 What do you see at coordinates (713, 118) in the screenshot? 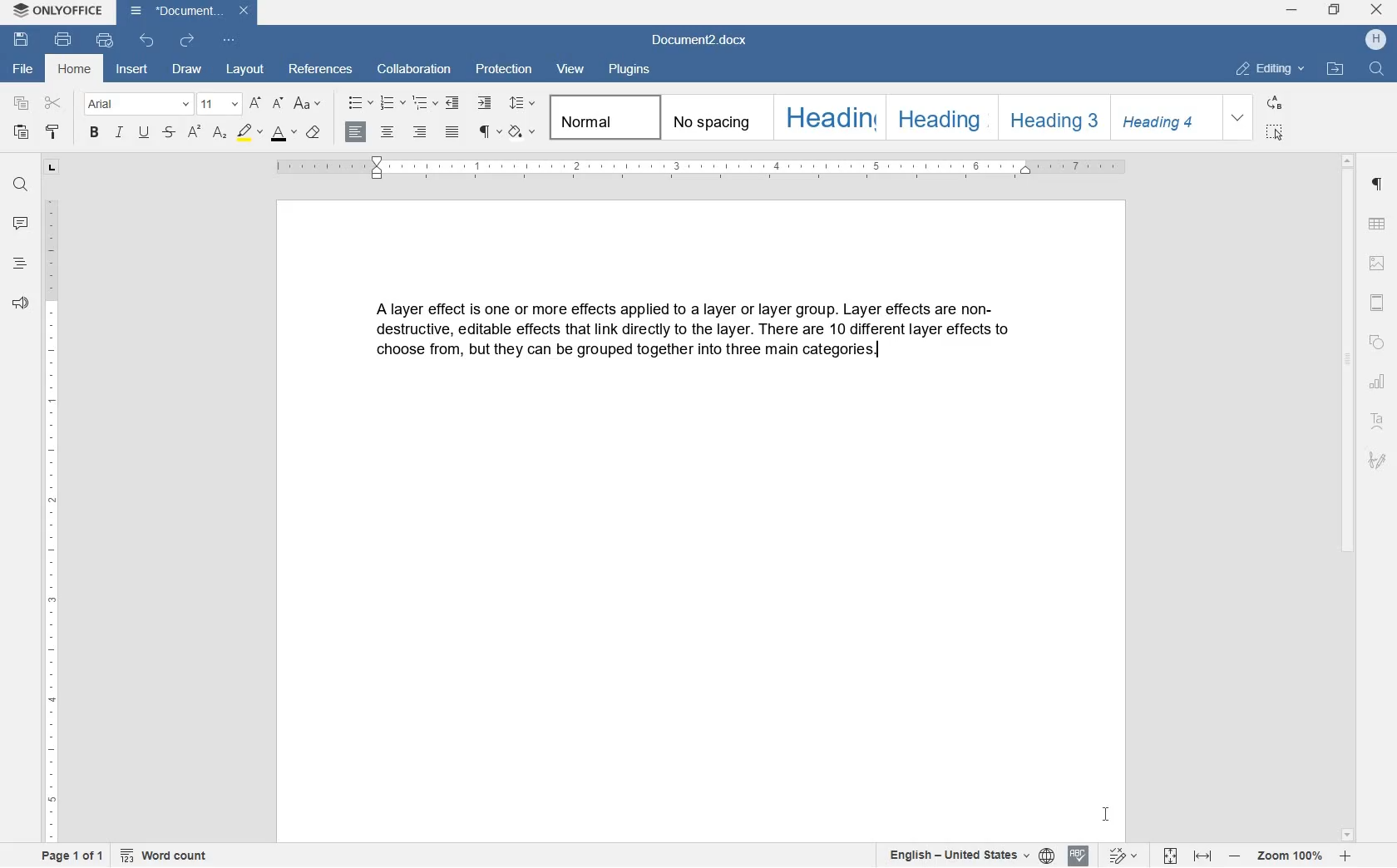
I see `NO SPACING` at bounding box center [713, 118].